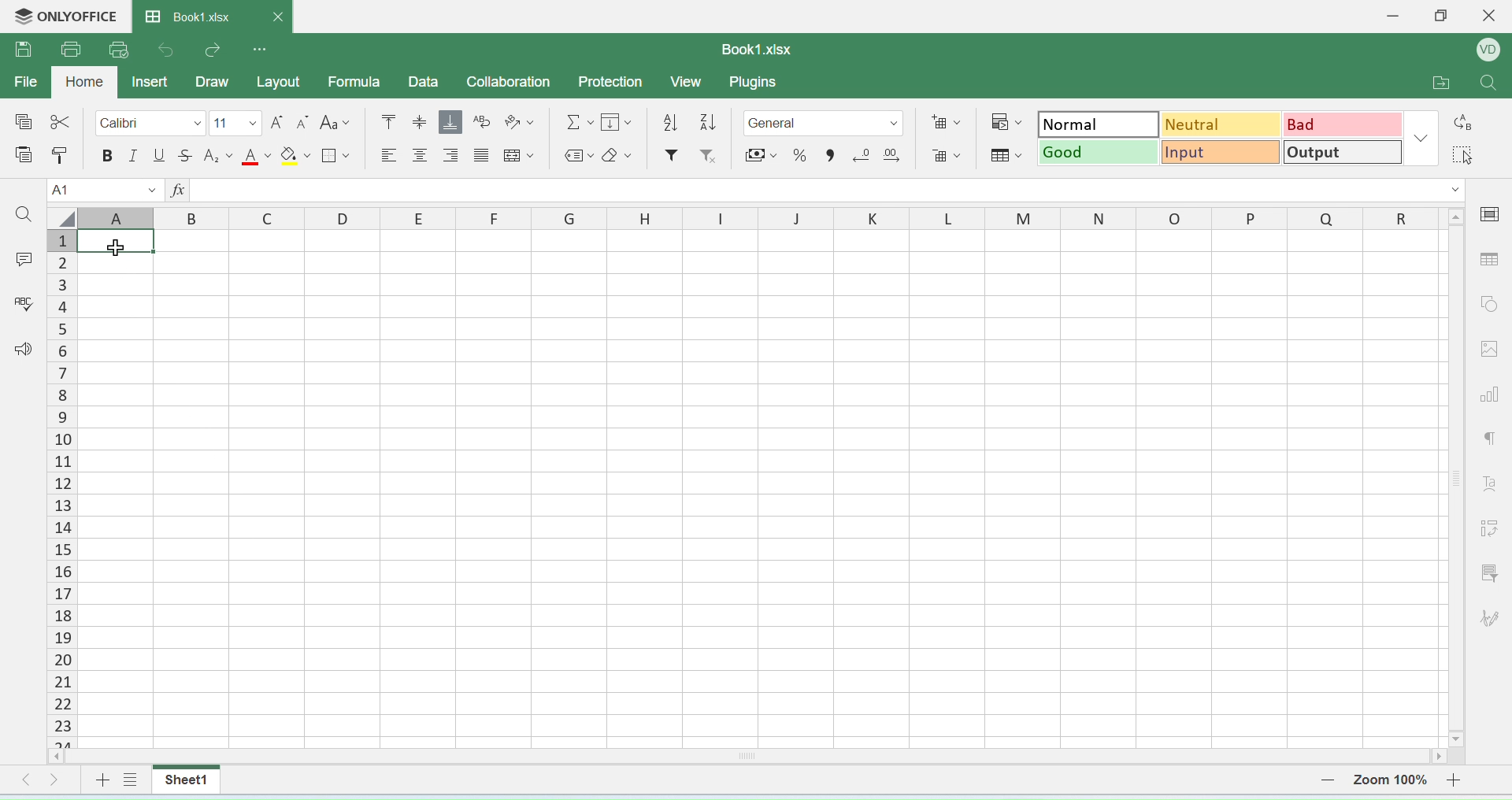 The width and height of the screenshot is (1512, 800). What do you see at coordinates (1453, 780) in the screenshot?
I see `zoom in` at bounding box center [1453, 780].